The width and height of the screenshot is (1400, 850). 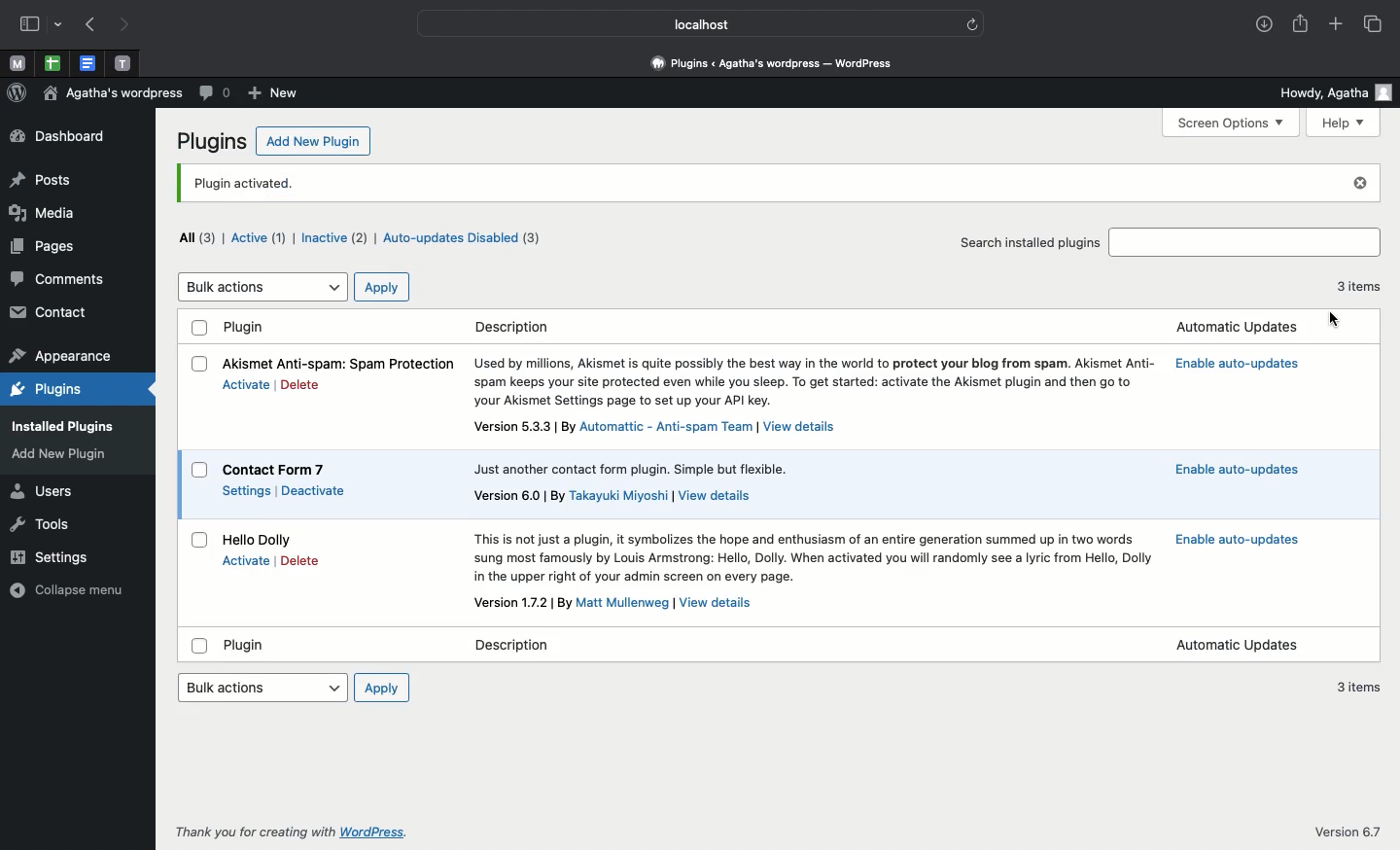 What do you see at coordinates (767, 65) in the screenshot?
I see `Dashboard` at bounding box center [767, 65].